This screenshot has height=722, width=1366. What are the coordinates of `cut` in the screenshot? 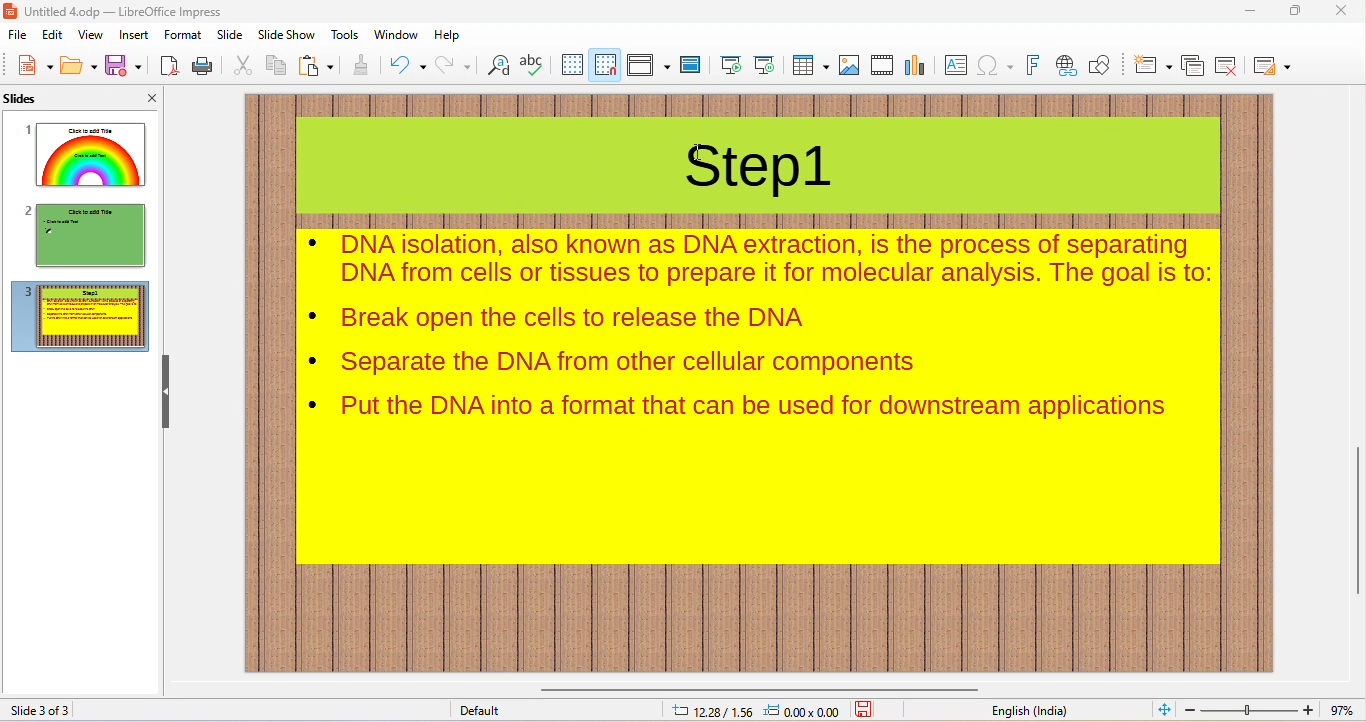 It's located at (244, 65).